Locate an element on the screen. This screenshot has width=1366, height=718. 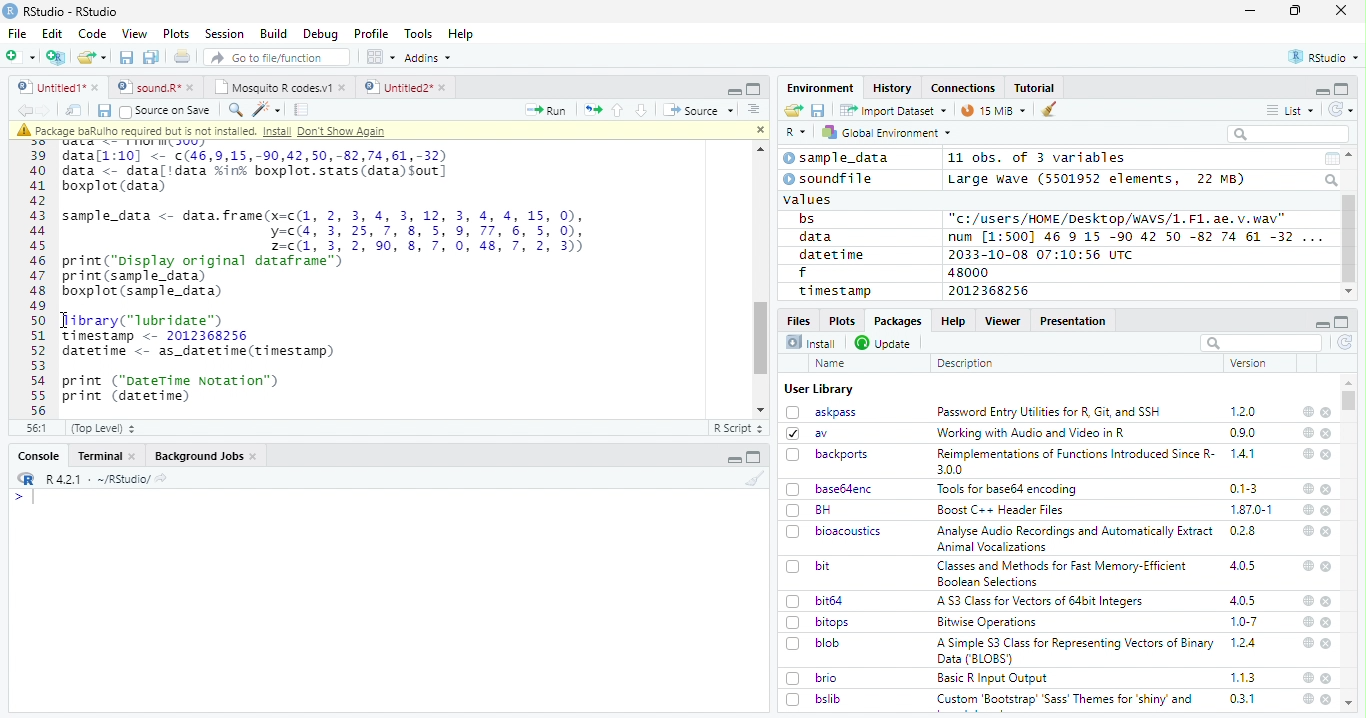
av is located at coordinates (807, 432).